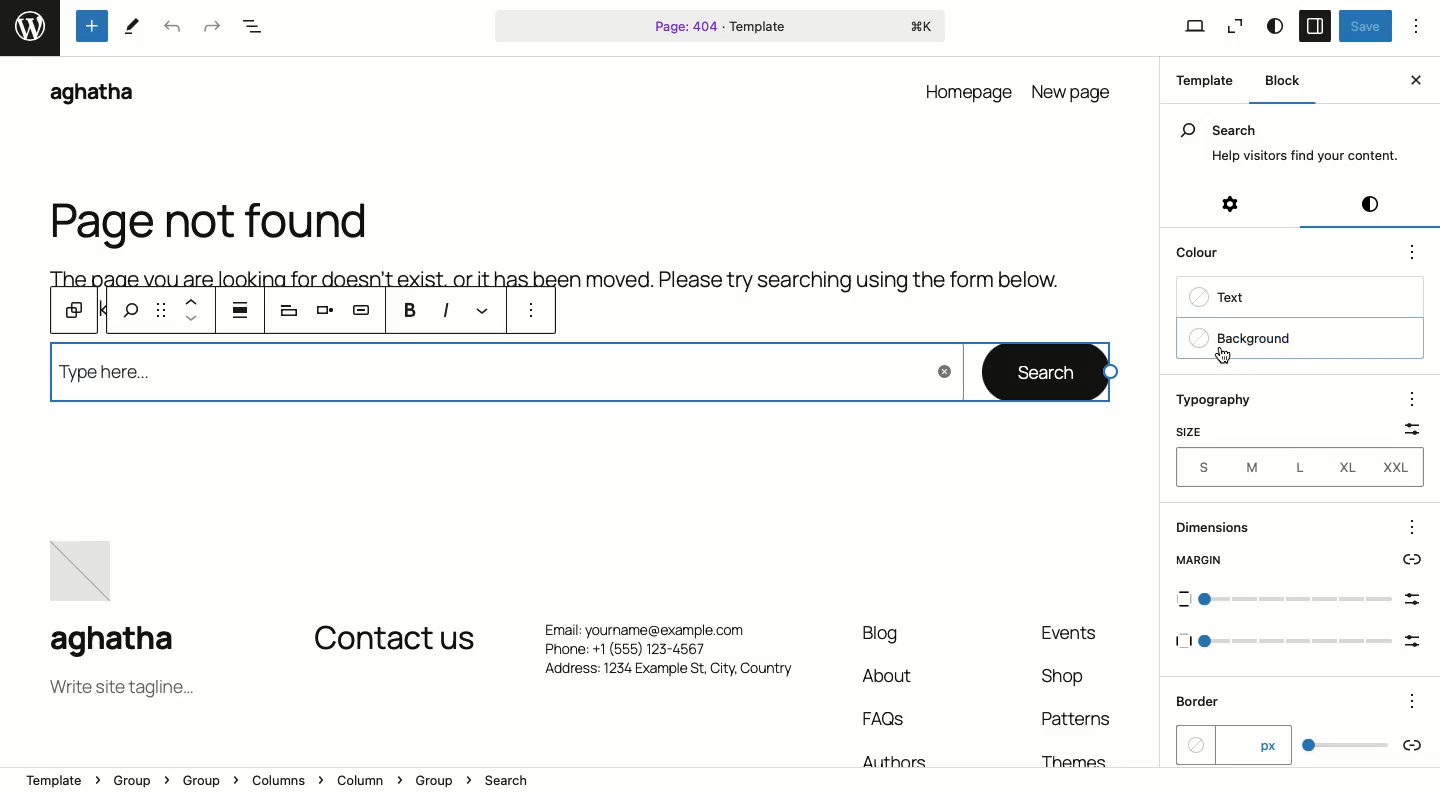  Describe the element at coordinates (1215, 296) in the screenshot. I see `Text` at that location.